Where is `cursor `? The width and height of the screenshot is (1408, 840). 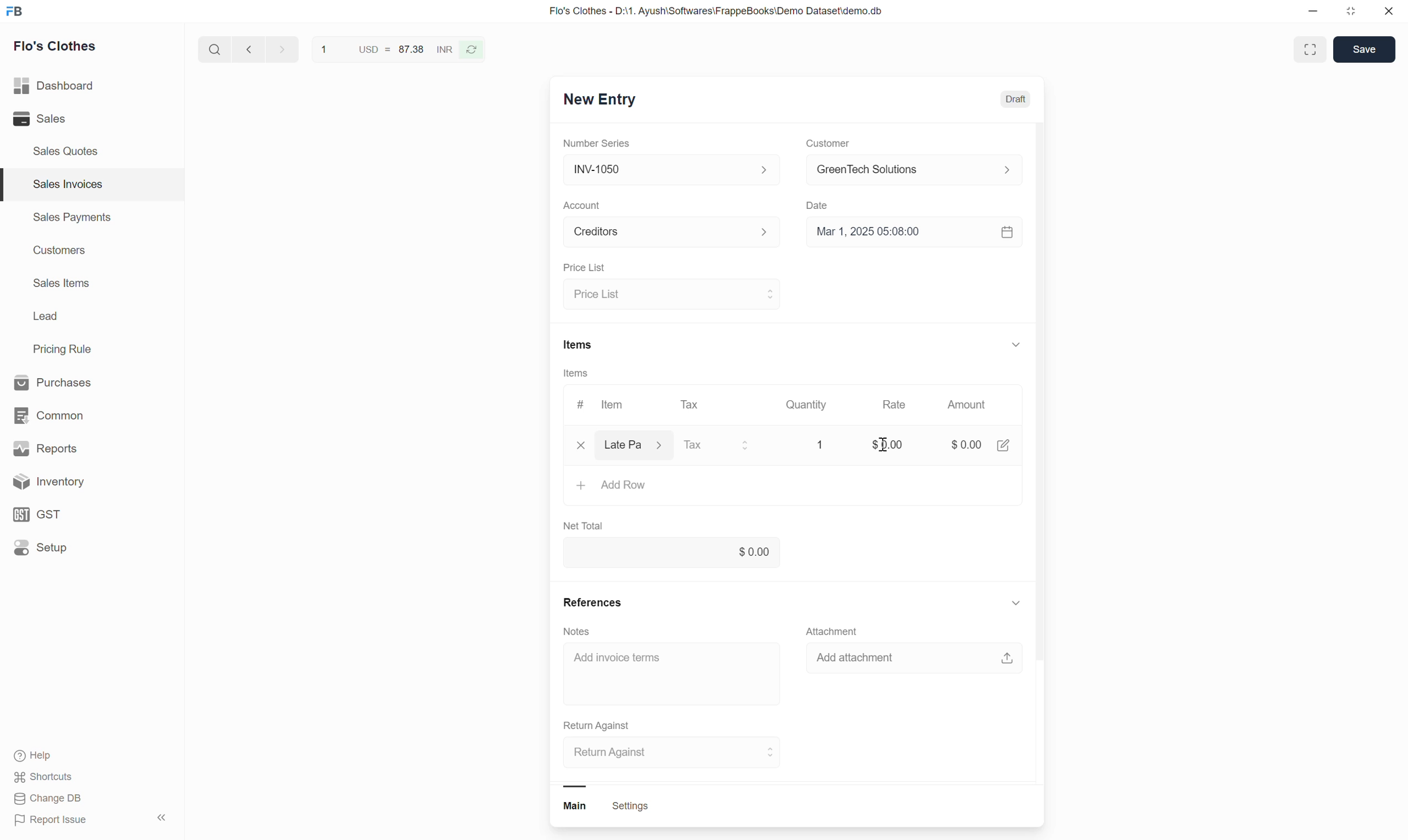 cursor  is located at coordinates (881, 447).